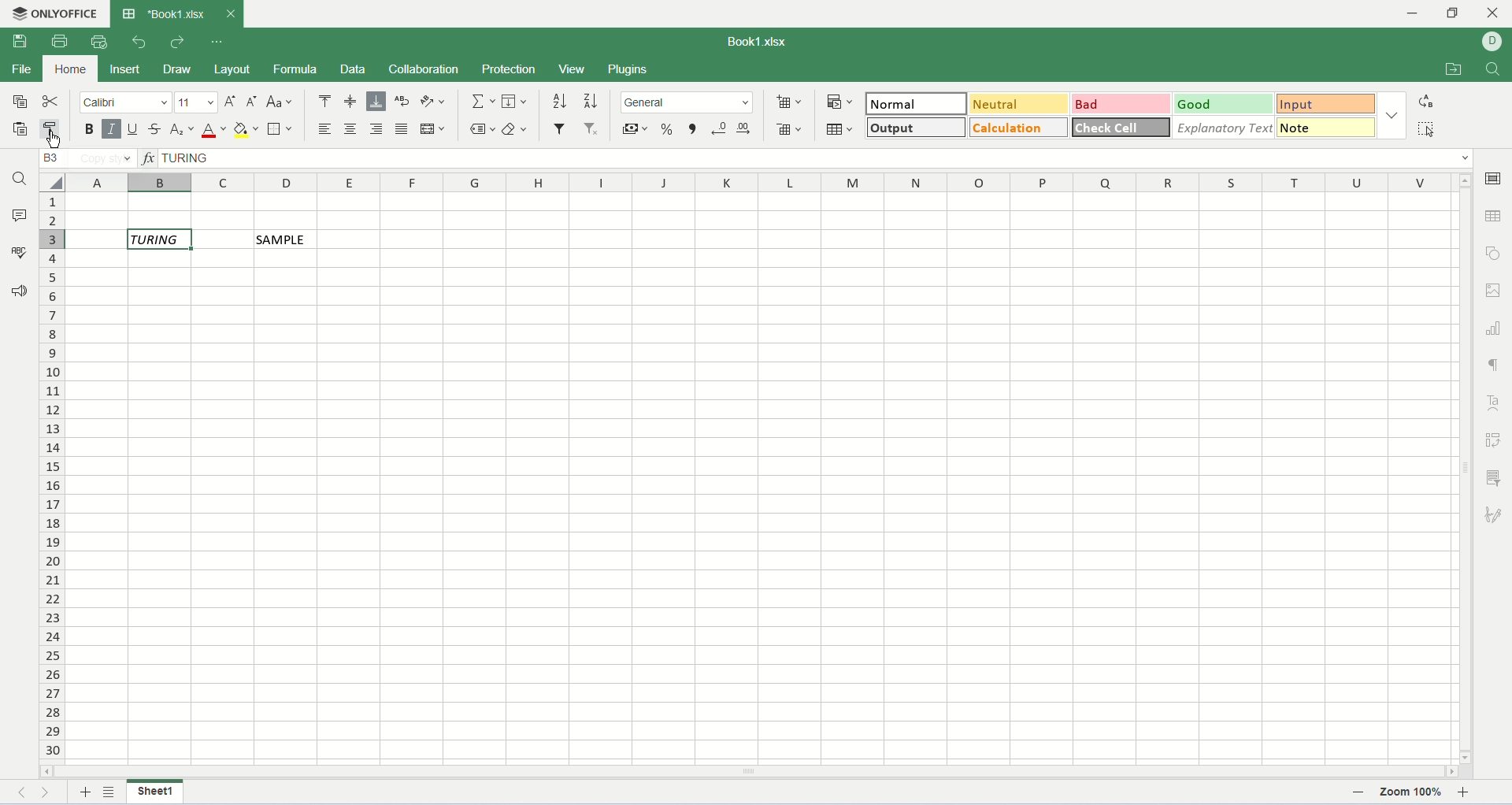 The height and width of the screenshot is (805, 1512). Describe the element at coordinates (246, 131) in the screenshot. I see `background color` at that location.